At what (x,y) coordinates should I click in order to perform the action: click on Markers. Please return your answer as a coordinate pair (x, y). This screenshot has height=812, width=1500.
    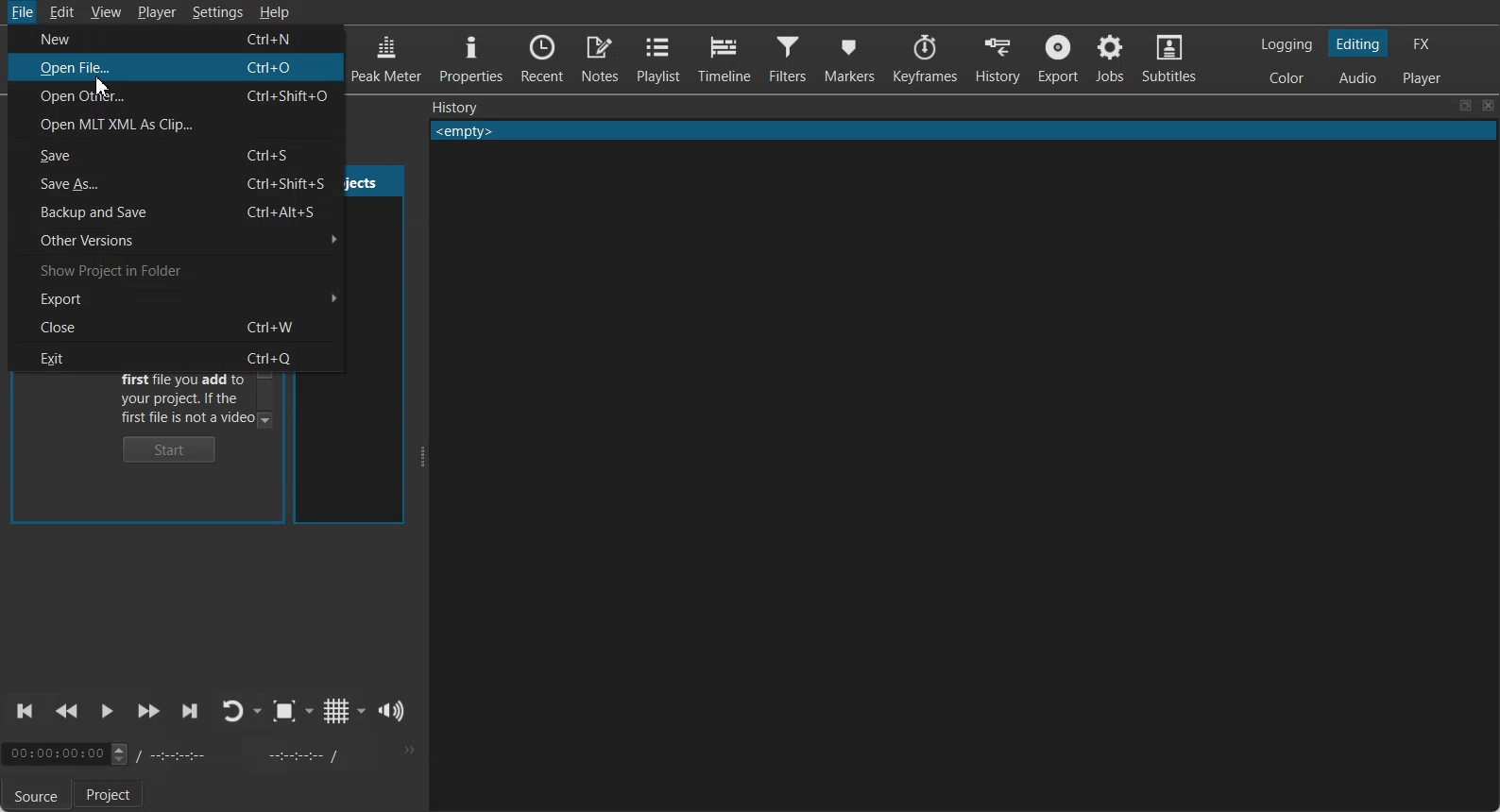
    Looking at the image, I should click on (850, 58).